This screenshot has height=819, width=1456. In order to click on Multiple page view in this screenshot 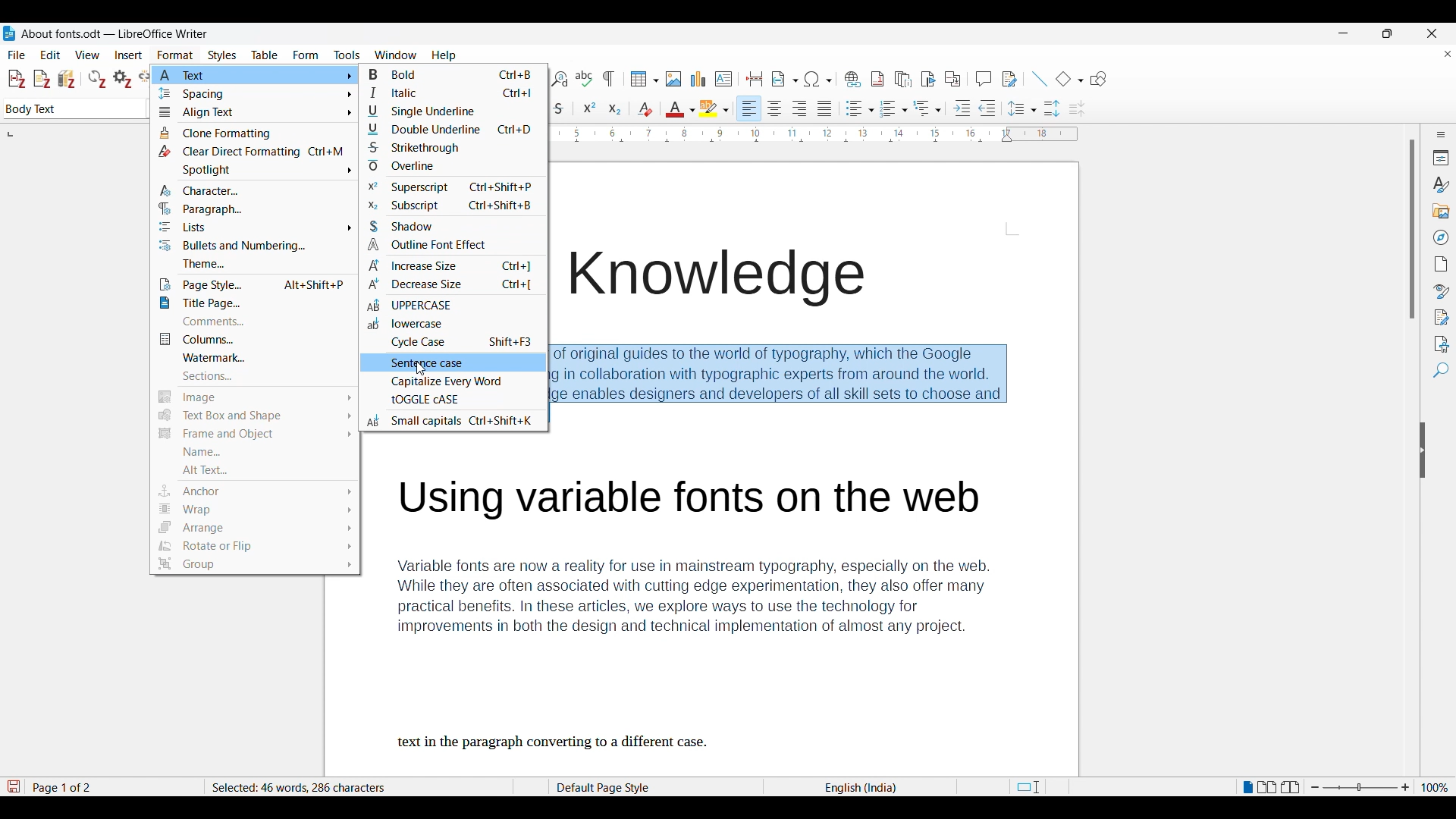, I will do `click(1267, 787)`.